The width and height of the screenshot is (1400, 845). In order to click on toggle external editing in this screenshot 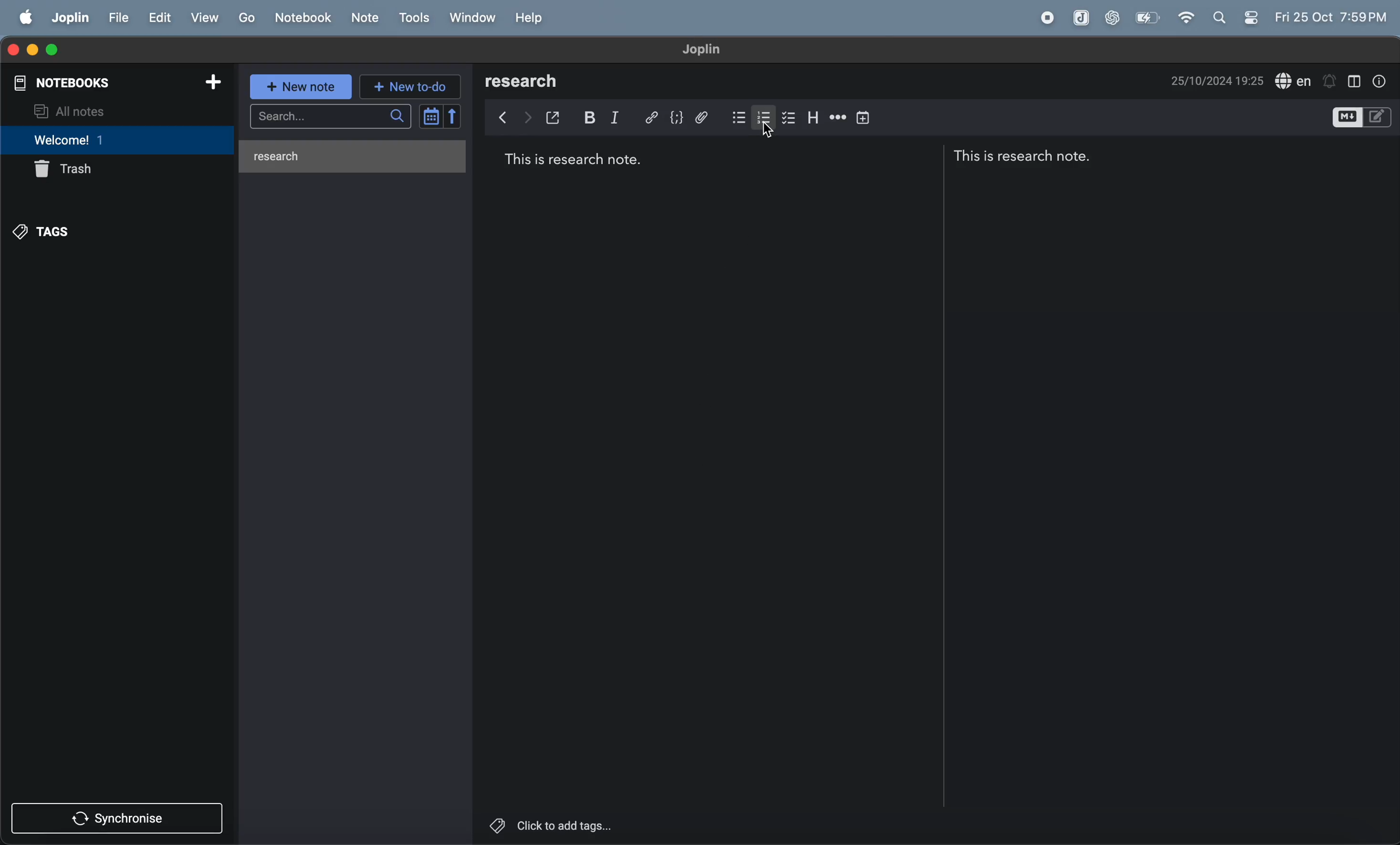, I will do `click(557, 118)`.